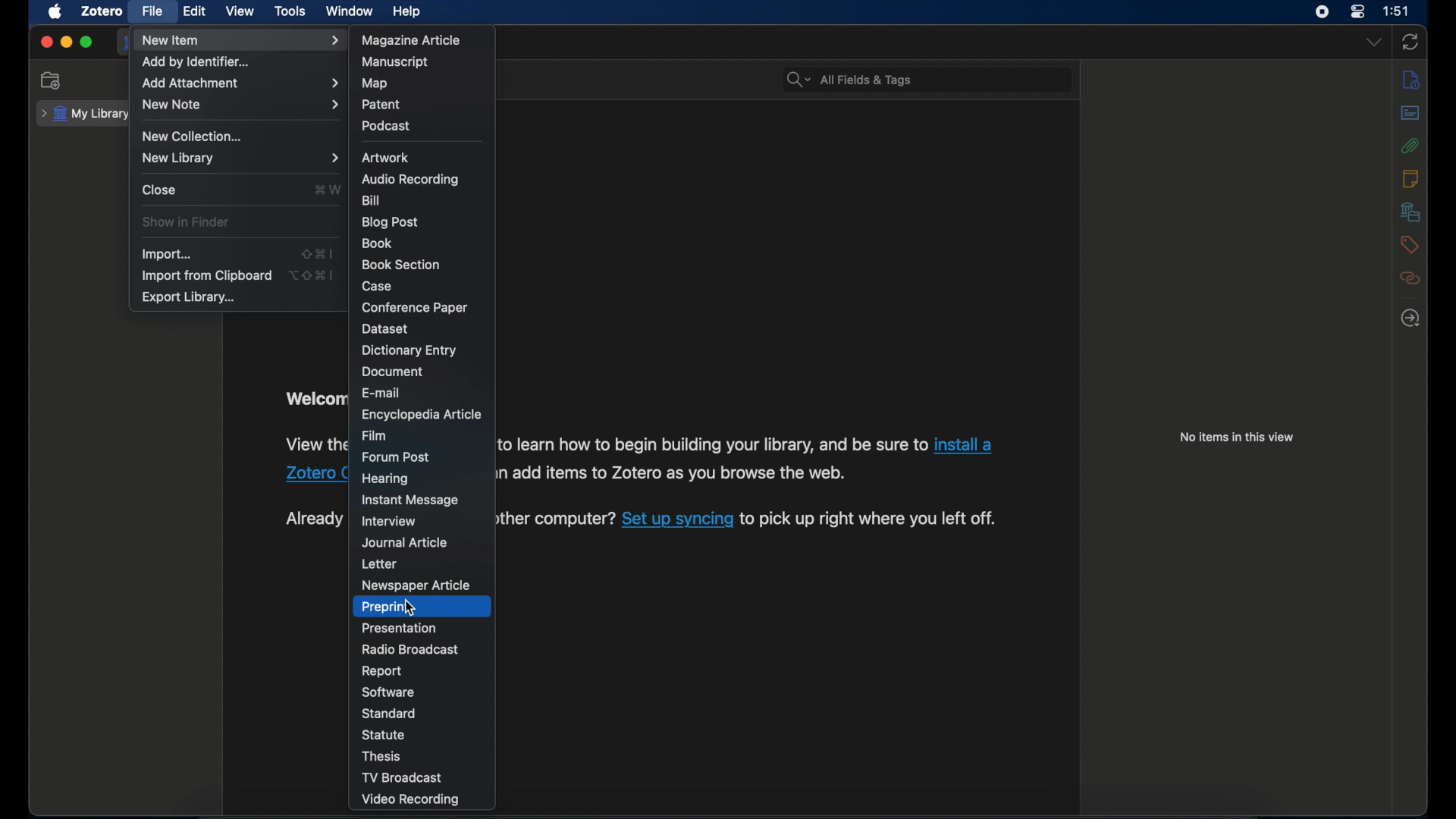 This screenshot has height=819, width=1456. Describe the element at coordinates (45, 42) in the screenshot. I see `close` at that location.